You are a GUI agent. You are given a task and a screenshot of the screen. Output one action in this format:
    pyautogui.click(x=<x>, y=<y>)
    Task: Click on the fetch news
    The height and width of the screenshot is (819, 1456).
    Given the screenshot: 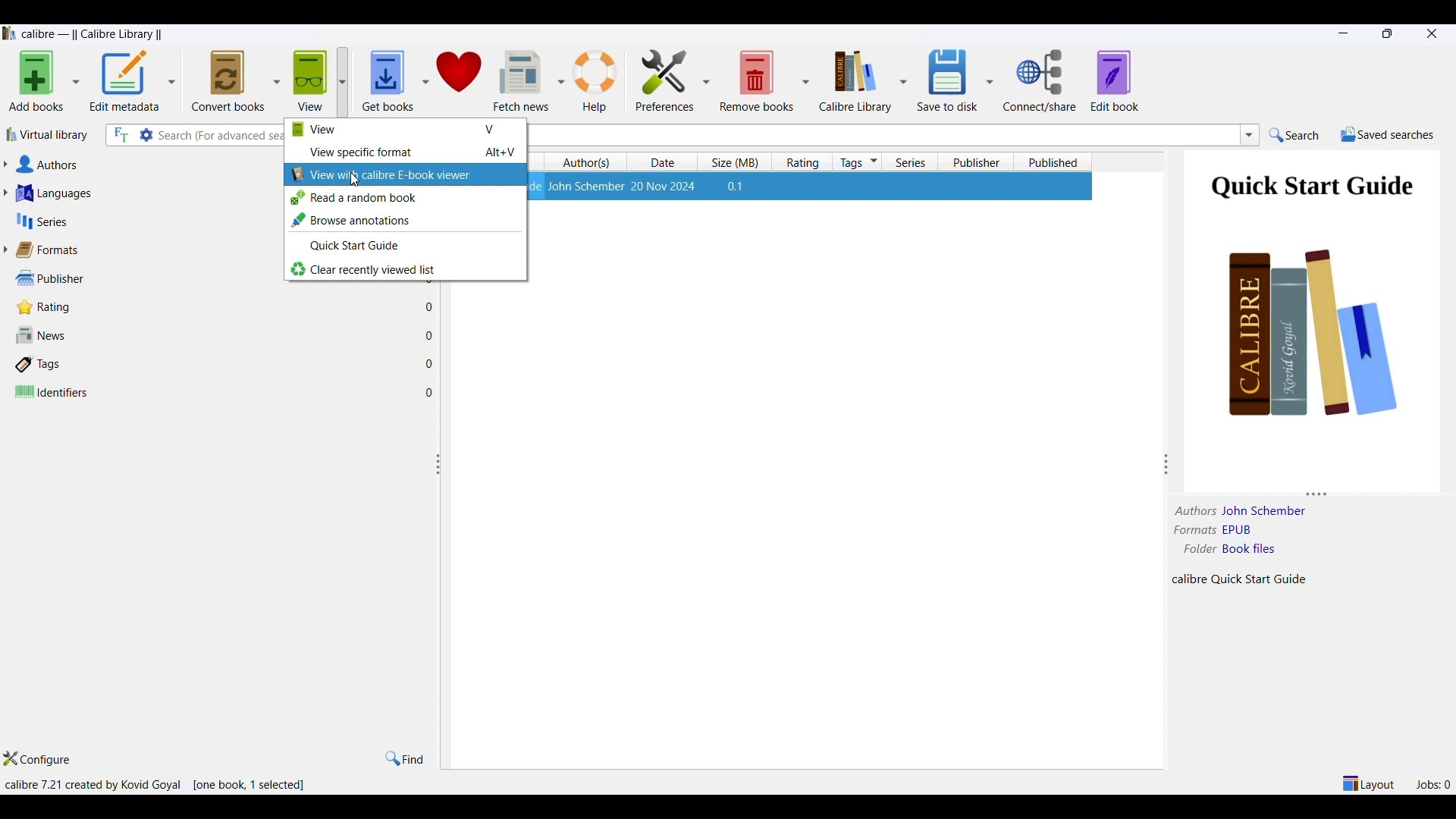 What is the action you would take?
    pyautogui.click(x=520, y=79)
    